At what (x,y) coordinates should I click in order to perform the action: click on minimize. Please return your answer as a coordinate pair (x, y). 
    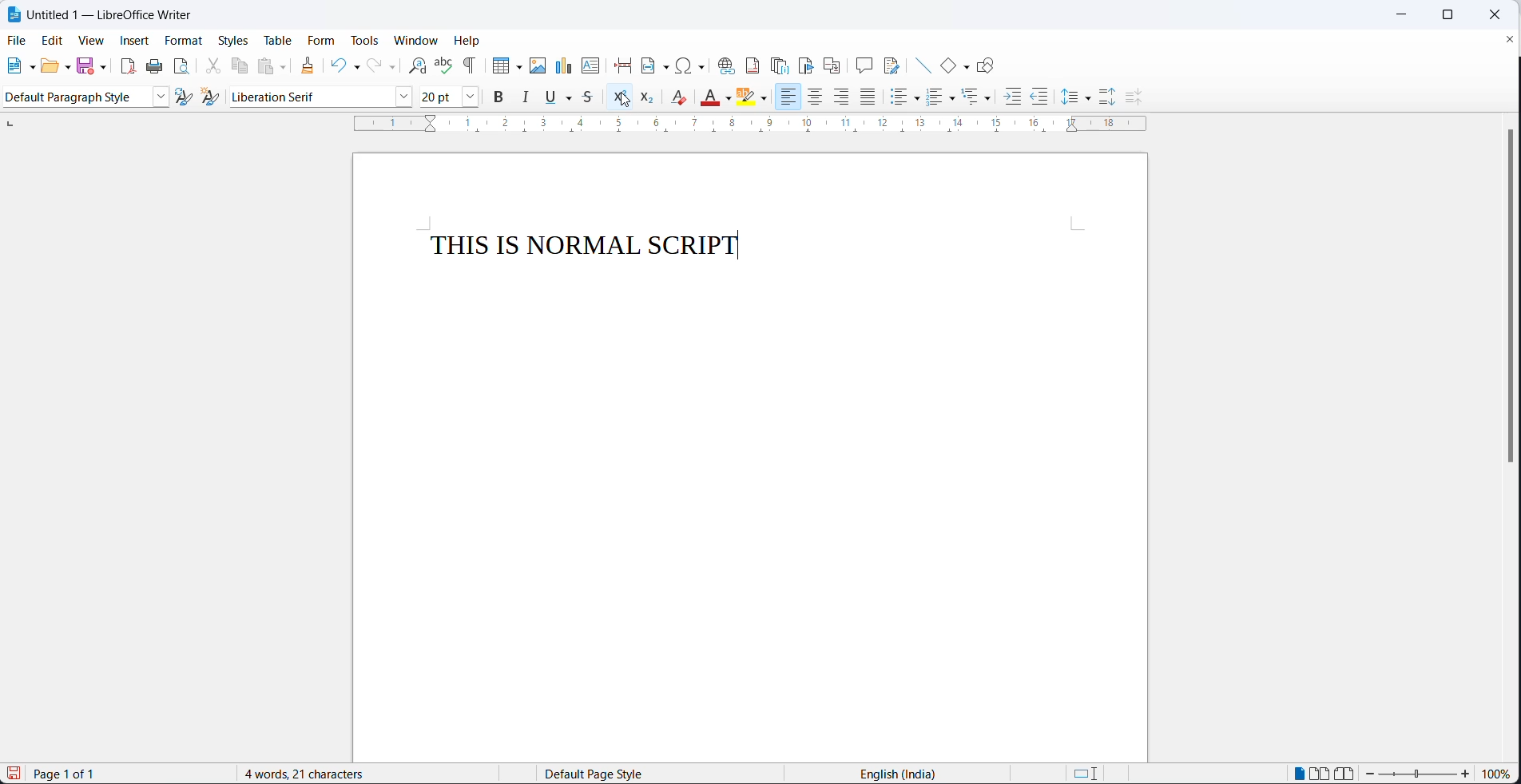
    Looking at the image, I should click on (1403, 15).